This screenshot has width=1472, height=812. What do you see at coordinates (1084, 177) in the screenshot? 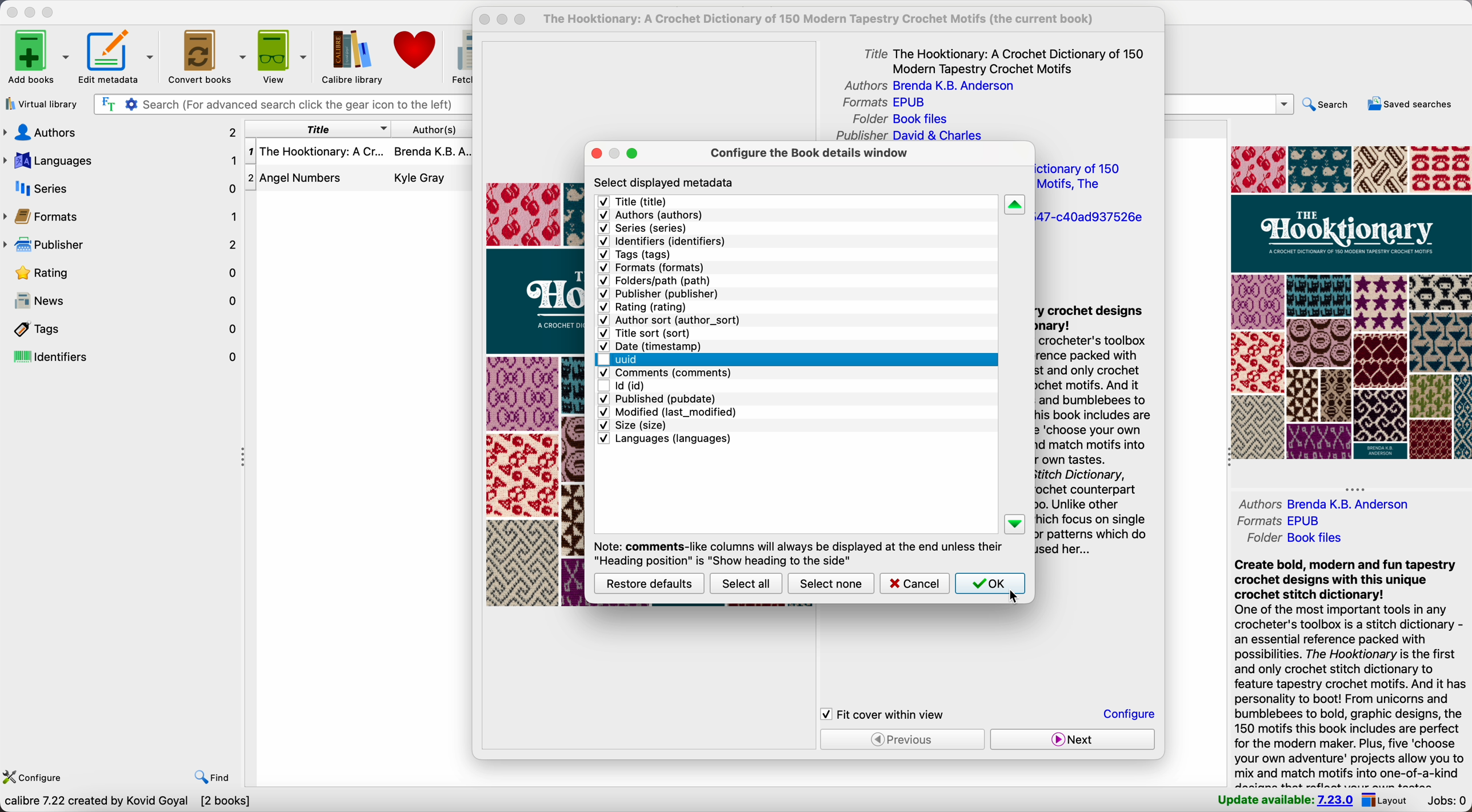
I see `title sort` at bounding box center [1084, 177].